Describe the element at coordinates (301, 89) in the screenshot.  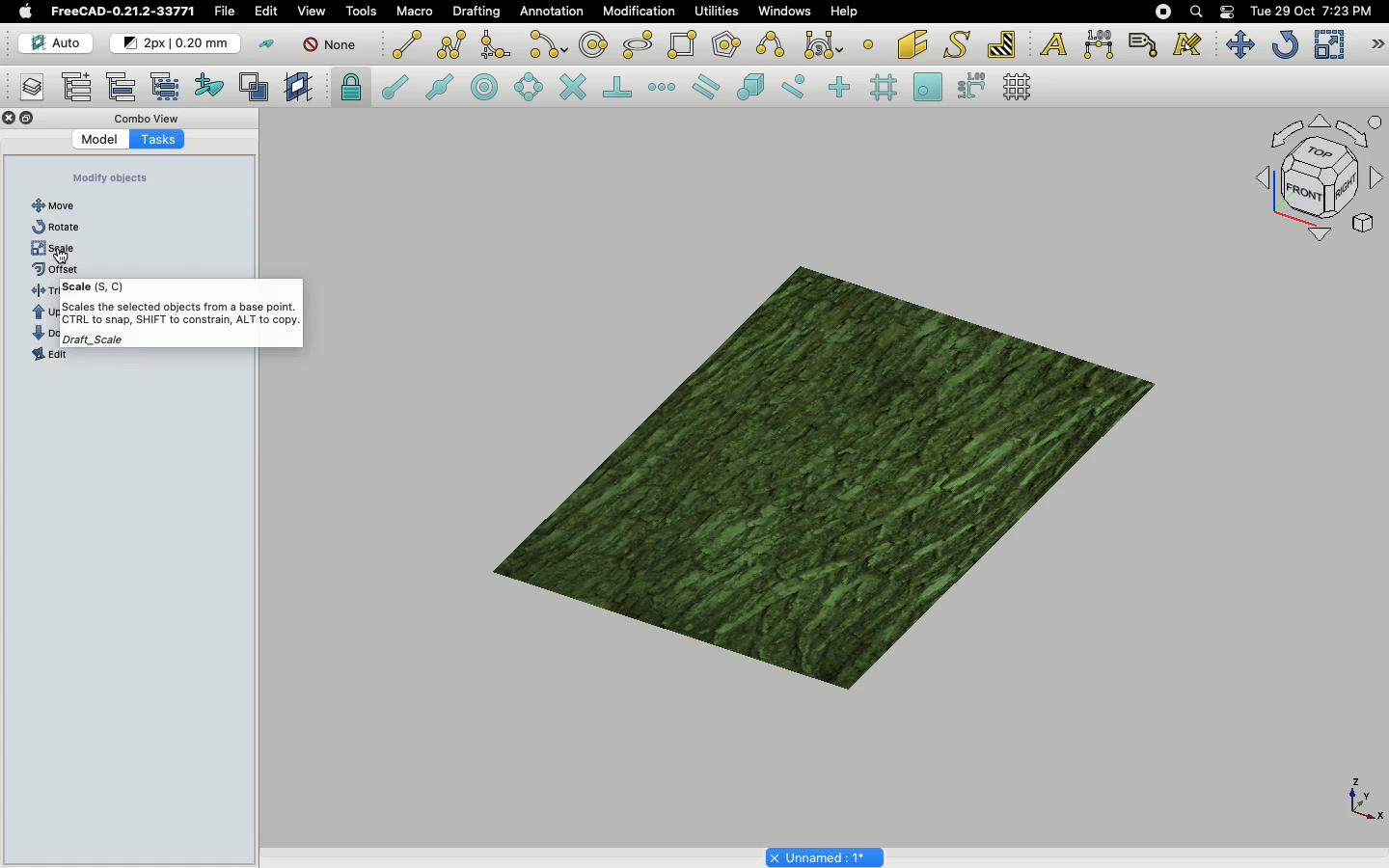
I see `Create working plane proxy` at that location.